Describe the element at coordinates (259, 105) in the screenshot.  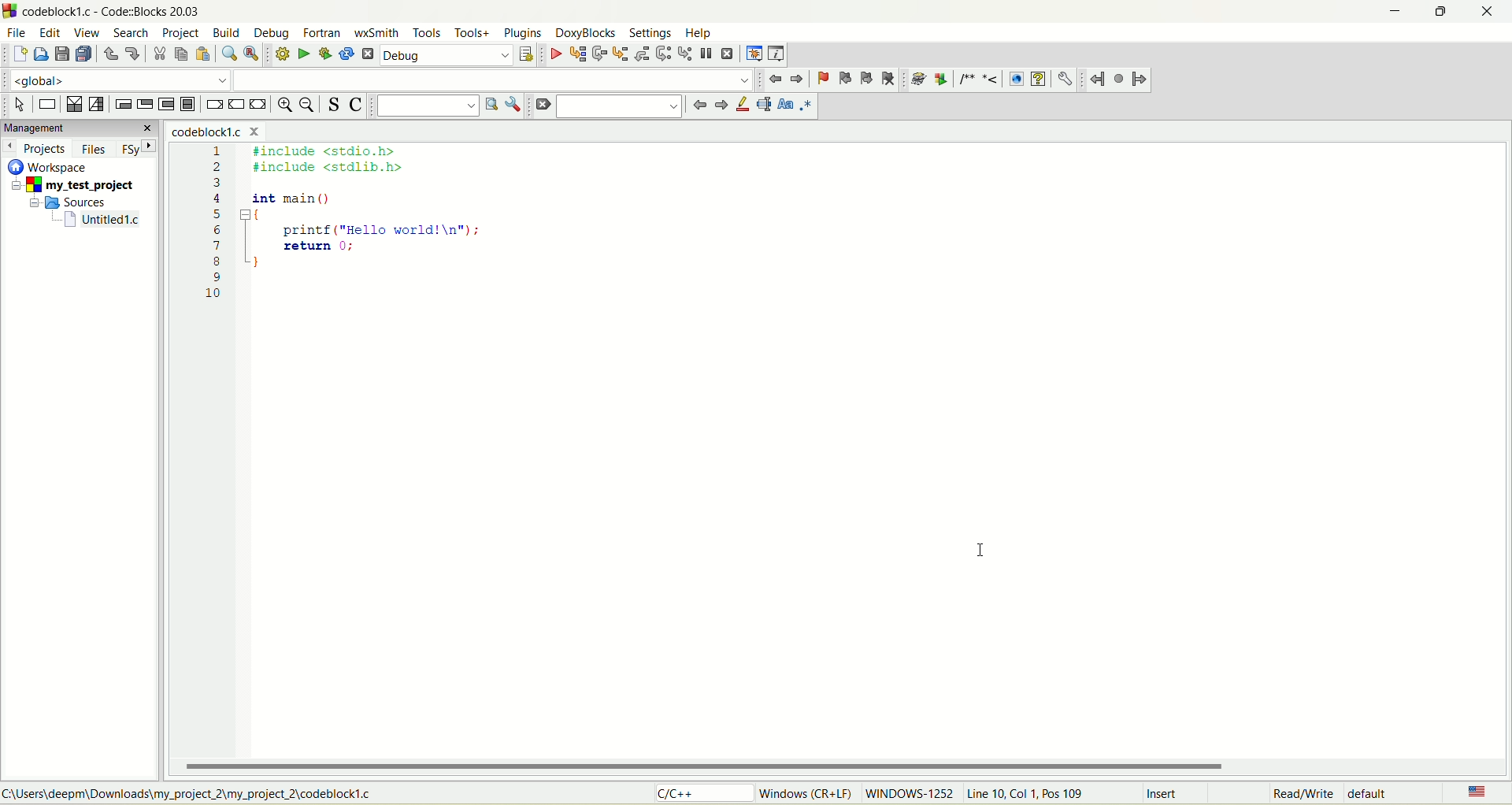
I see `return instruction` at that location.